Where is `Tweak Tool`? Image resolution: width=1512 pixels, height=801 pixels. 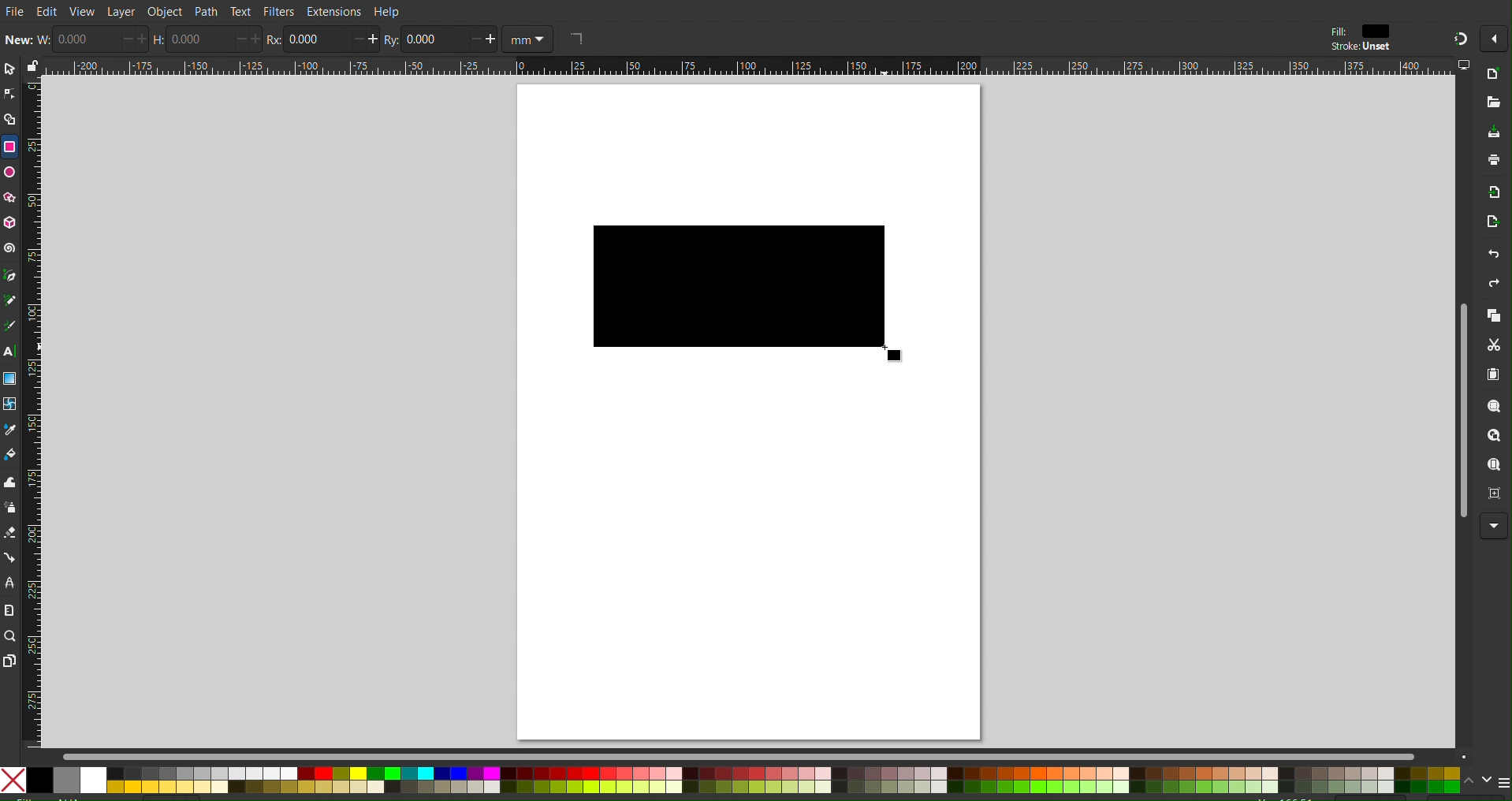
Tweak Tool is located at coordinates (9, 485).